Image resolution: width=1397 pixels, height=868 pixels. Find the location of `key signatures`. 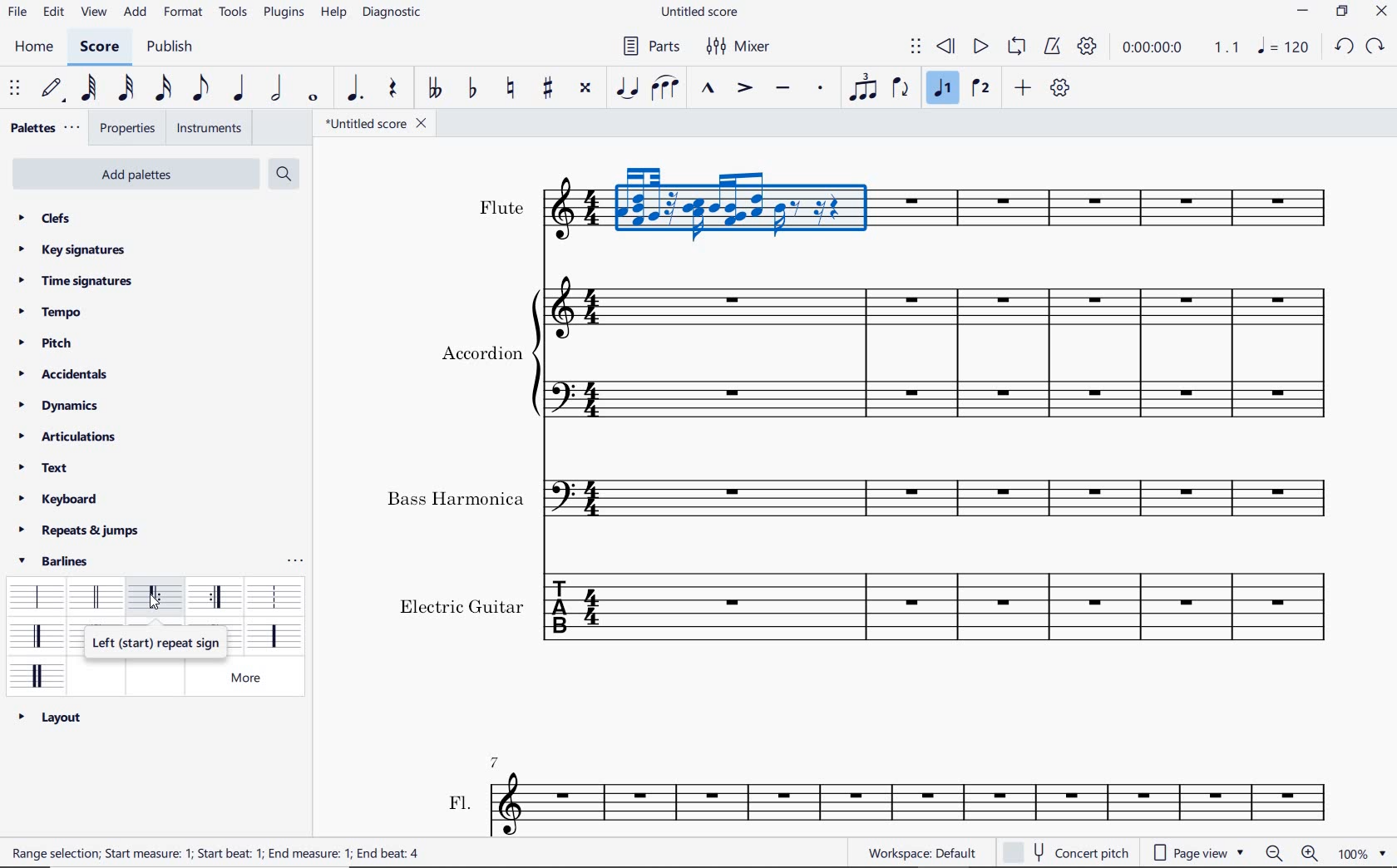

key signatures is located at coordinates (72, 251).